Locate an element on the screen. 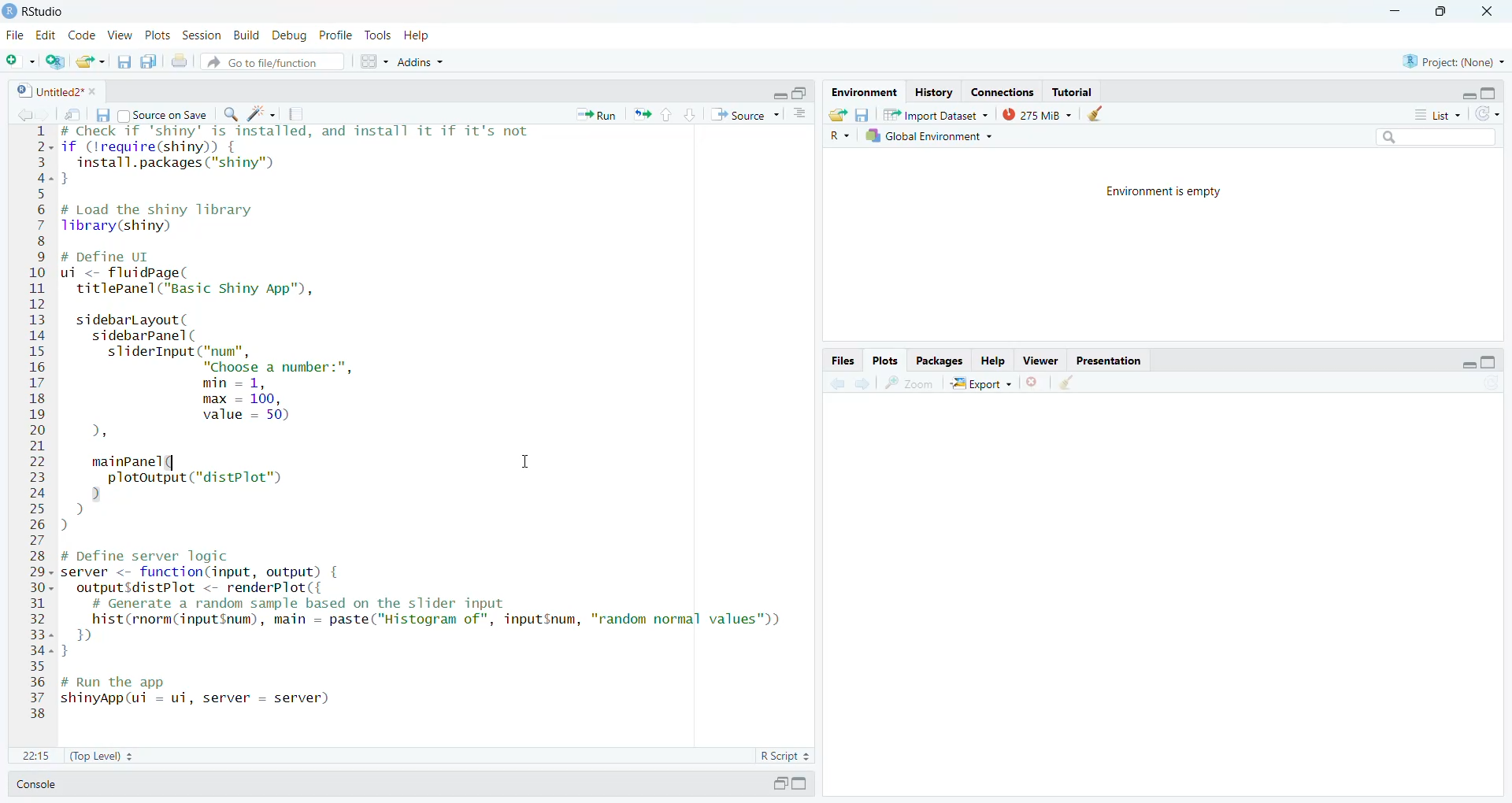  Presentation is located at coordinates (1106, 361).